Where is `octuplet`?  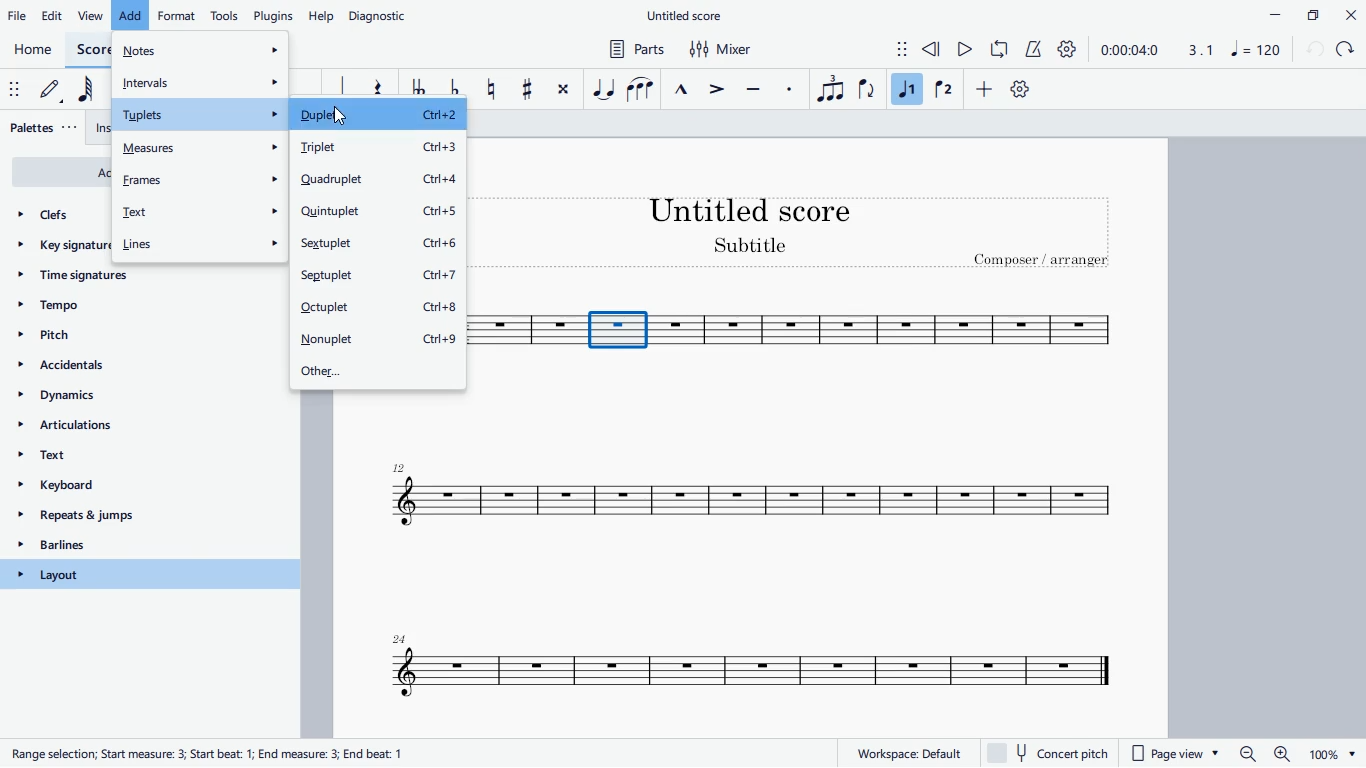
octuplet is located at coordinates (379, 310).